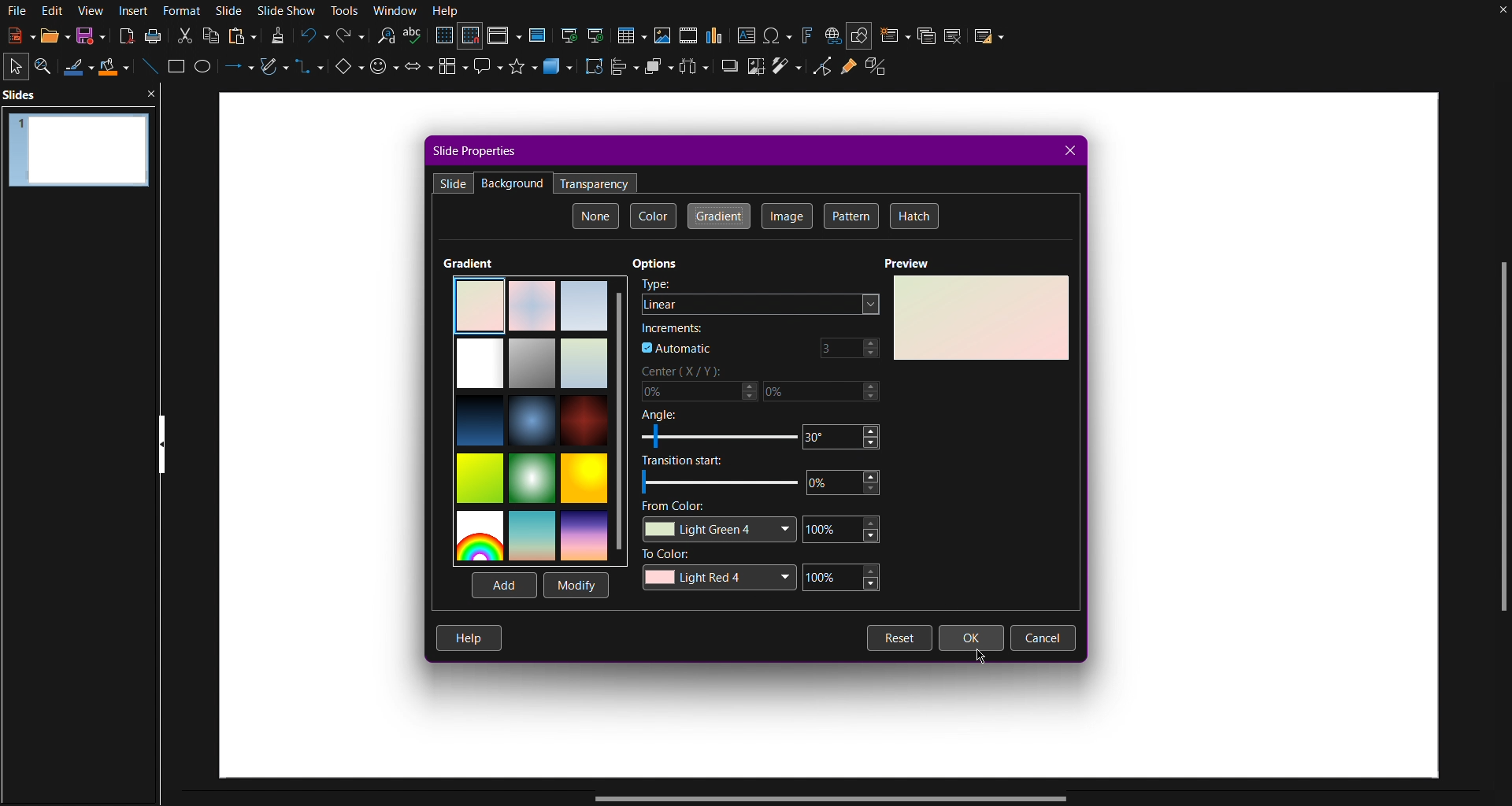 This screenshot has height=806, width=1512. Describe the element at coordinates (385, 36) in the screenshot. I see `Search and Replace` at that location.